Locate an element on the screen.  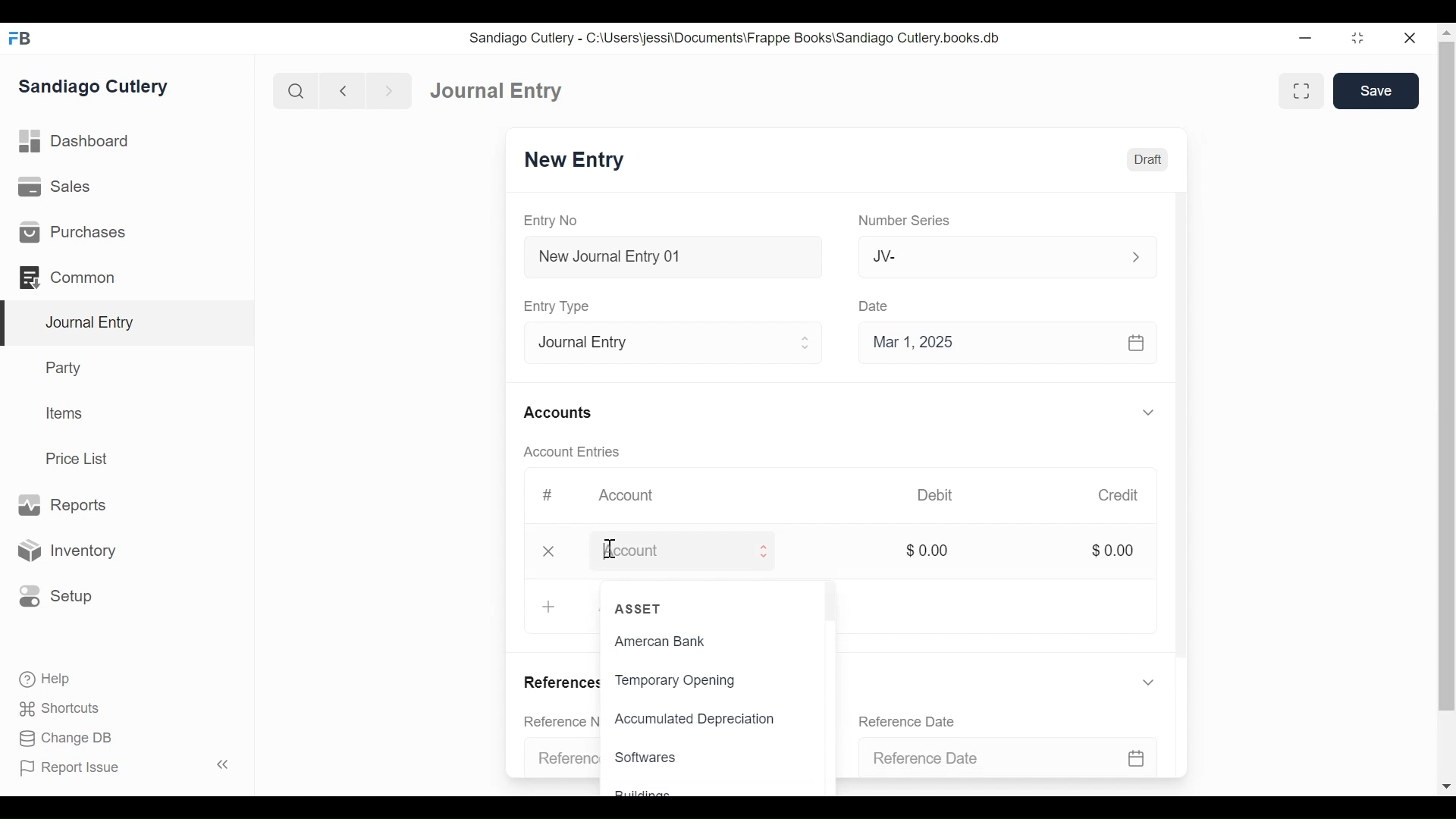
Entry No is located at coordinates (566, 221).